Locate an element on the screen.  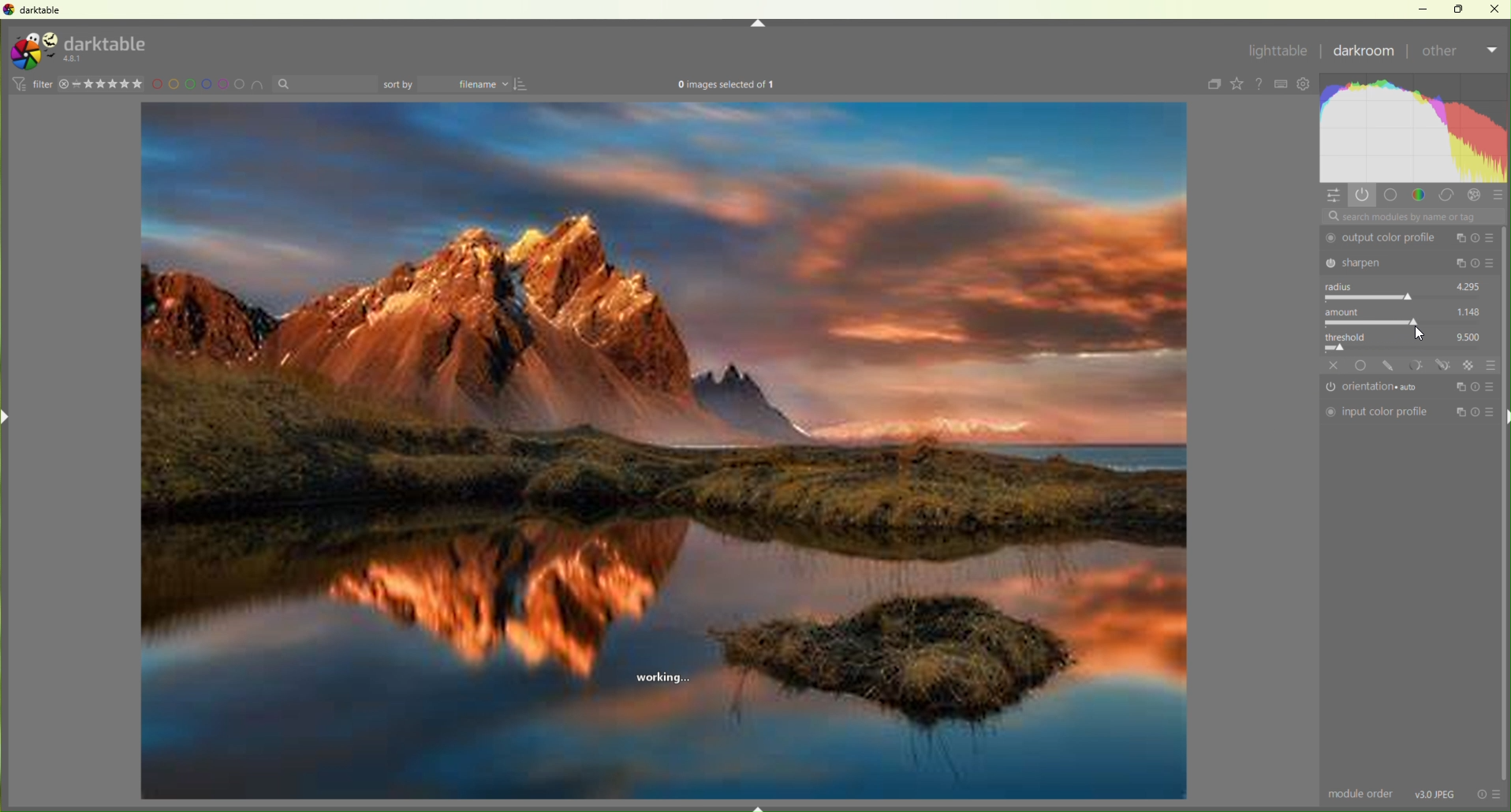
Quick access panel is located at coordinates (1334, 196).